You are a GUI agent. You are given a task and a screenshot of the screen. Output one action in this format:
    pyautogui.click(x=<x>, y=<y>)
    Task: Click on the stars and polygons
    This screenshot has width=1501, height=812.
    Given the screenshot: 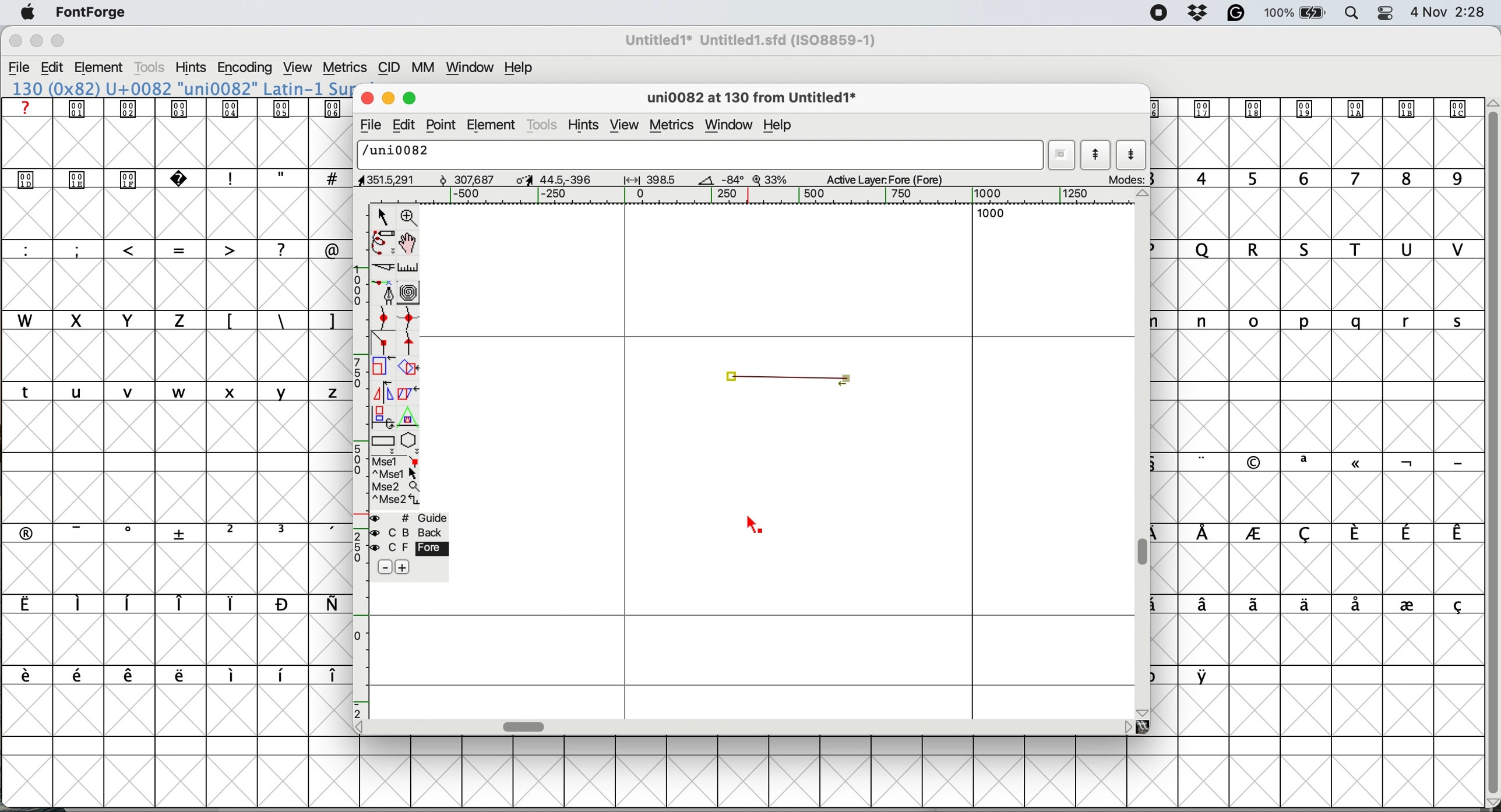 What is the action you would take?
    pyautogui.click(x=410, y=443)
    